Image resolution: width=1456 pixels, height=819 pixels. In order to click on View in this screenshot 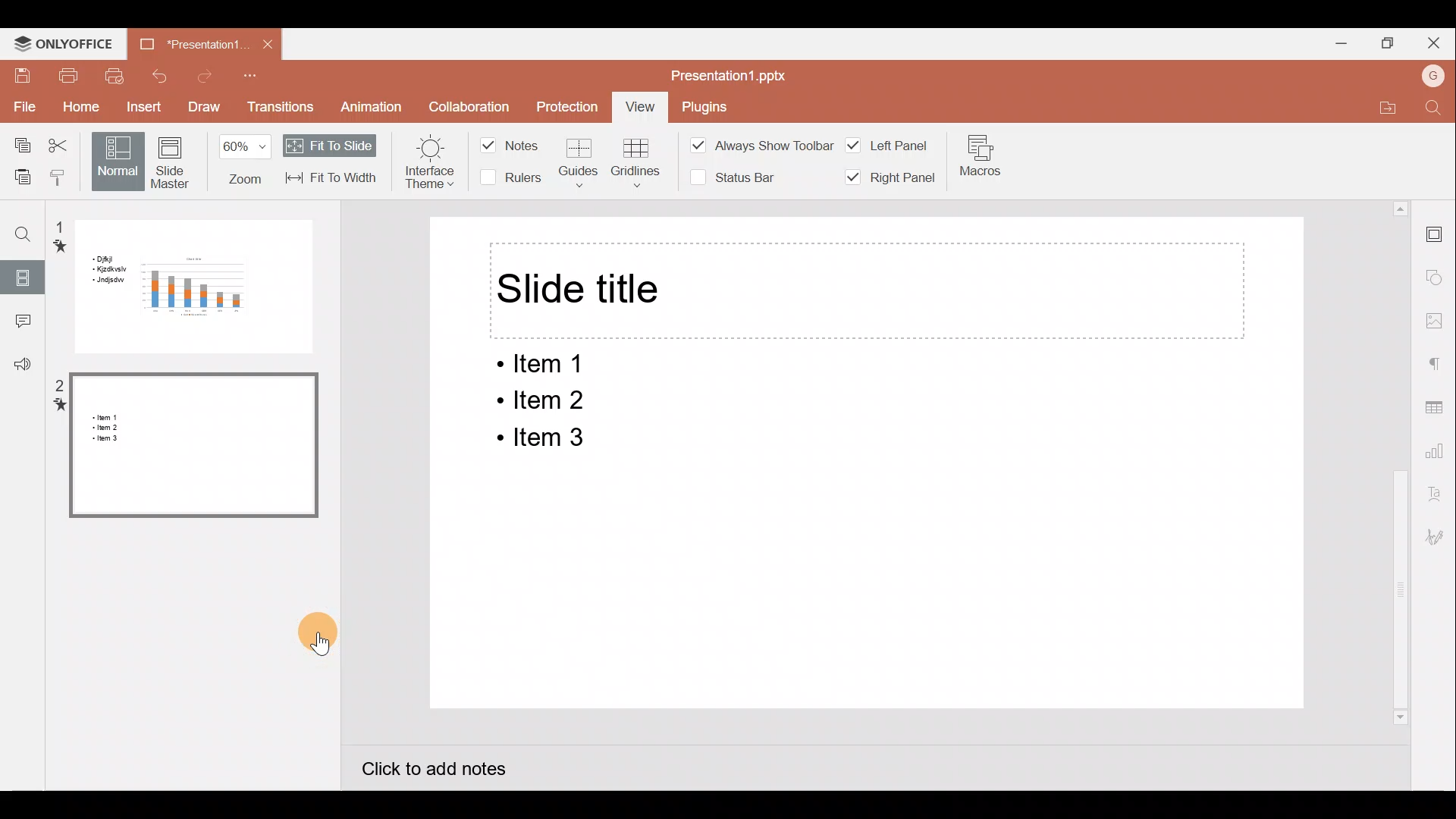, I will do `click(643, 105)`.